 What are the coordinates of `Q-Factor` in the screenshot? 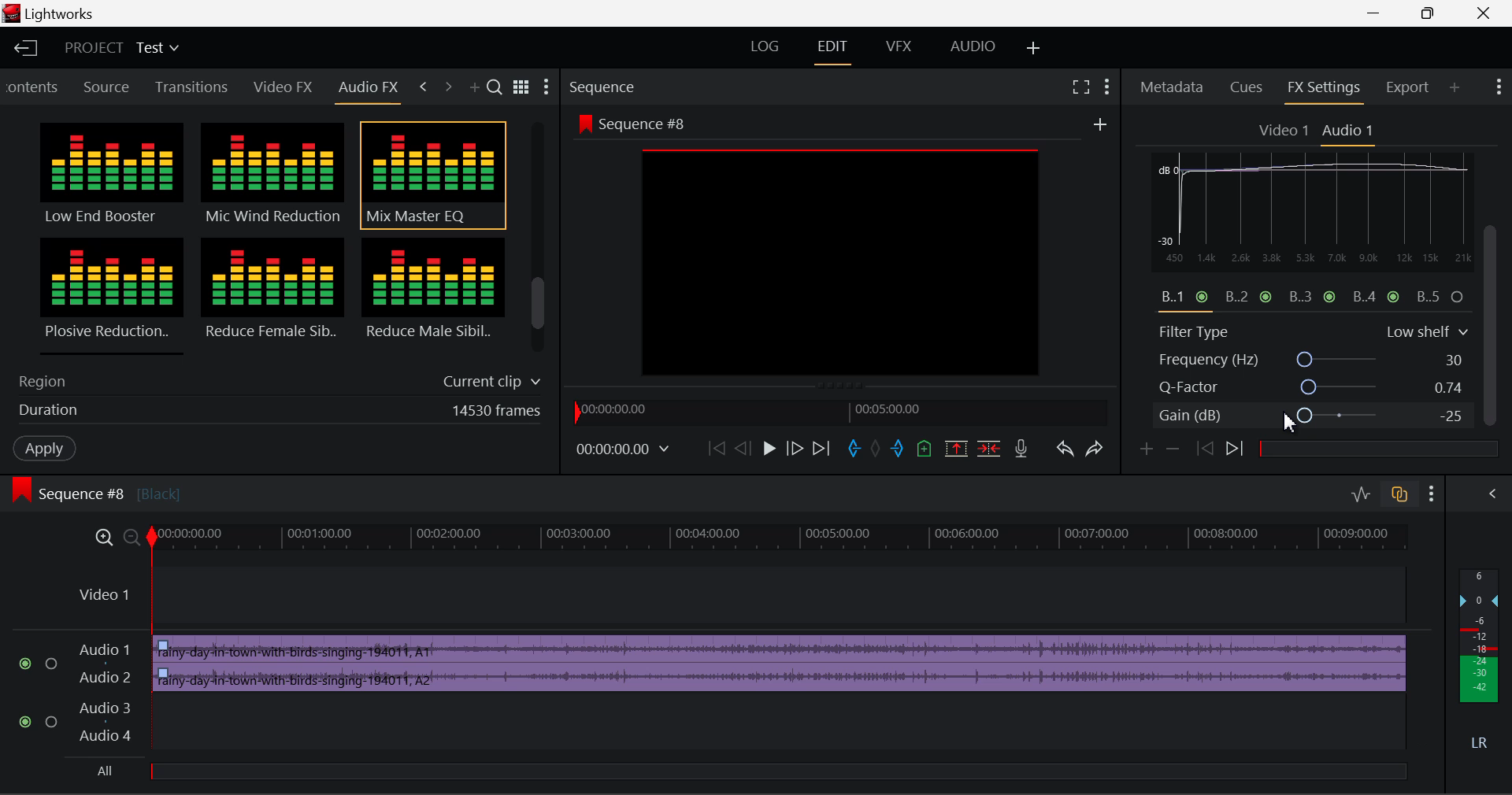 It's located at (1314, 388).